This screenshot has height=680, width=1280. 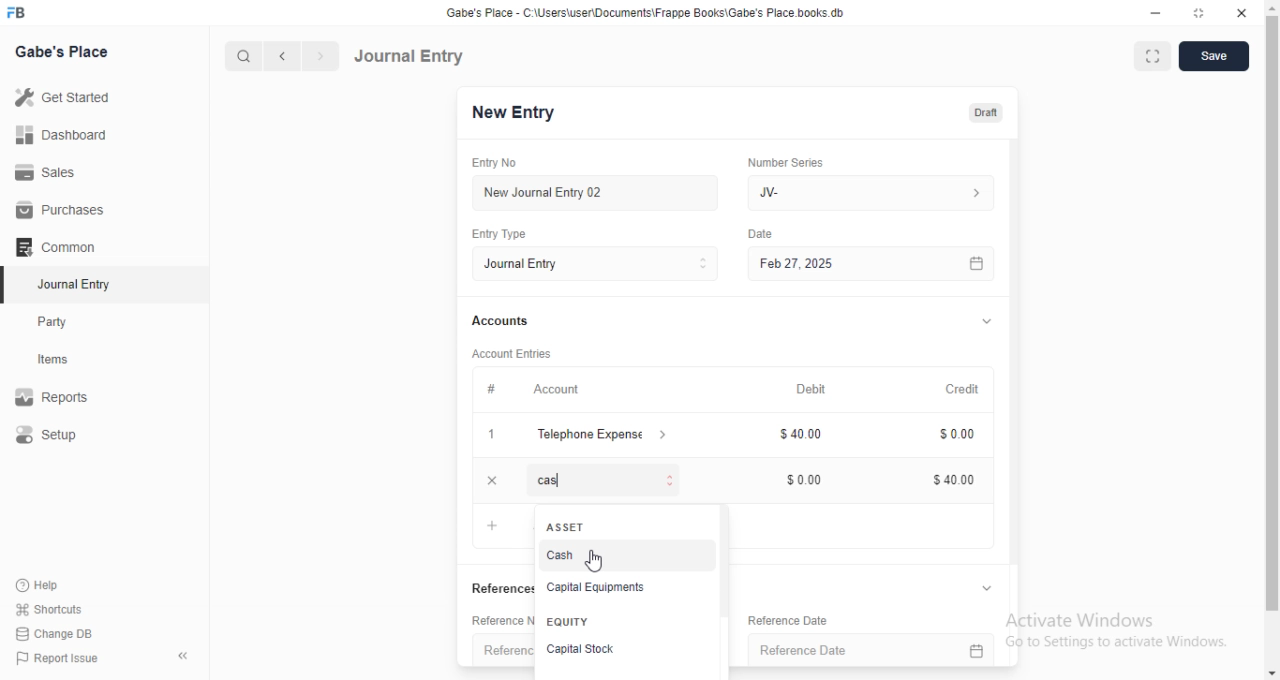 I want to click on Next, so click(x=319, y=56).